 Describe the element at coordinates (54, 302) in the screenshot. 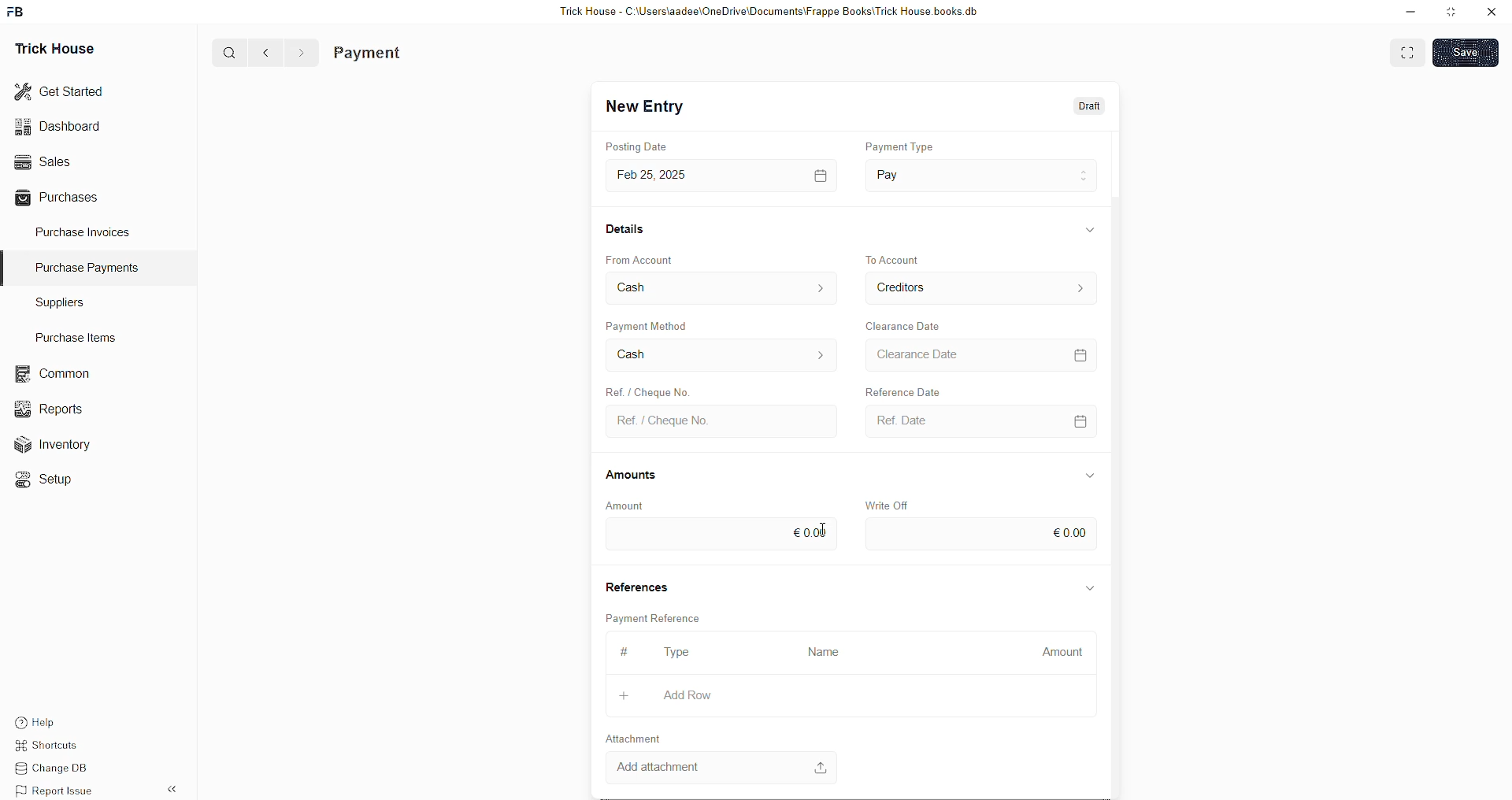

I see `Suppliers` at that location.